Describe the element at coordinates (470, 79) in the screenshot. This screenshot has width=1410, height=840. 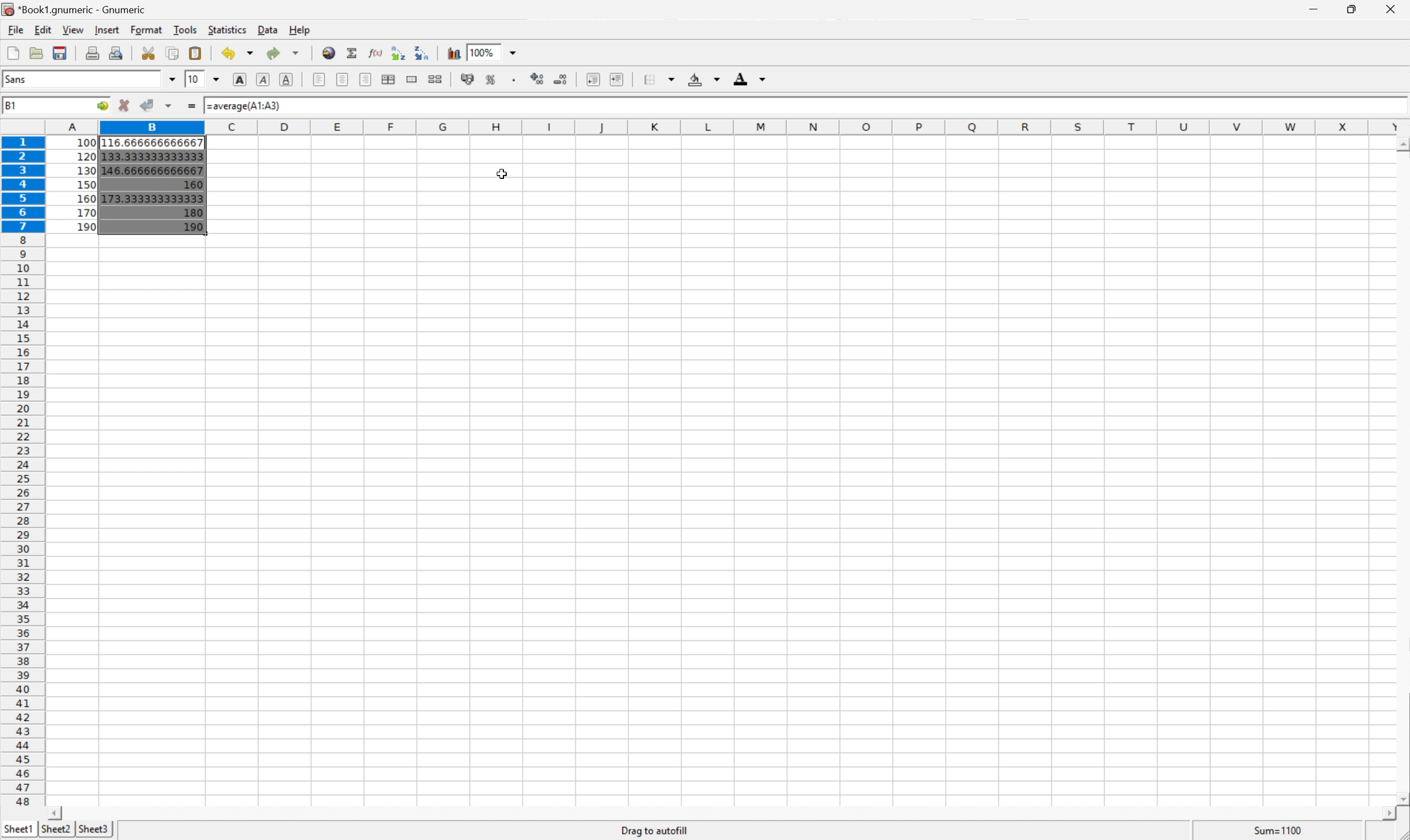
I see `Format the selection as accounting` at that location.